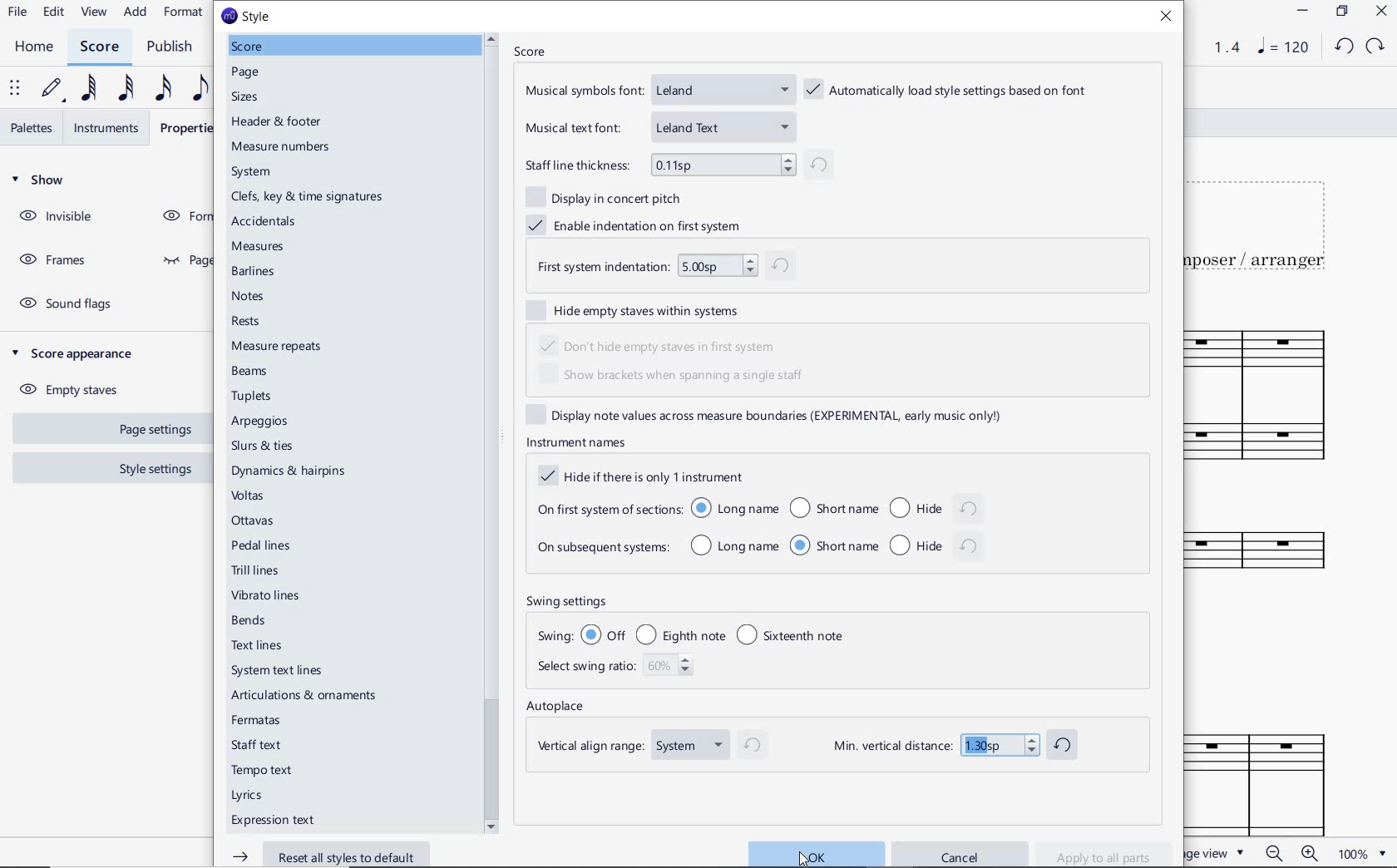 The height and width of the screenshot is (868, 1397). Describe the element at coordinates (58, 217) in the screenshot. I see `INVISIBLE` at that location.